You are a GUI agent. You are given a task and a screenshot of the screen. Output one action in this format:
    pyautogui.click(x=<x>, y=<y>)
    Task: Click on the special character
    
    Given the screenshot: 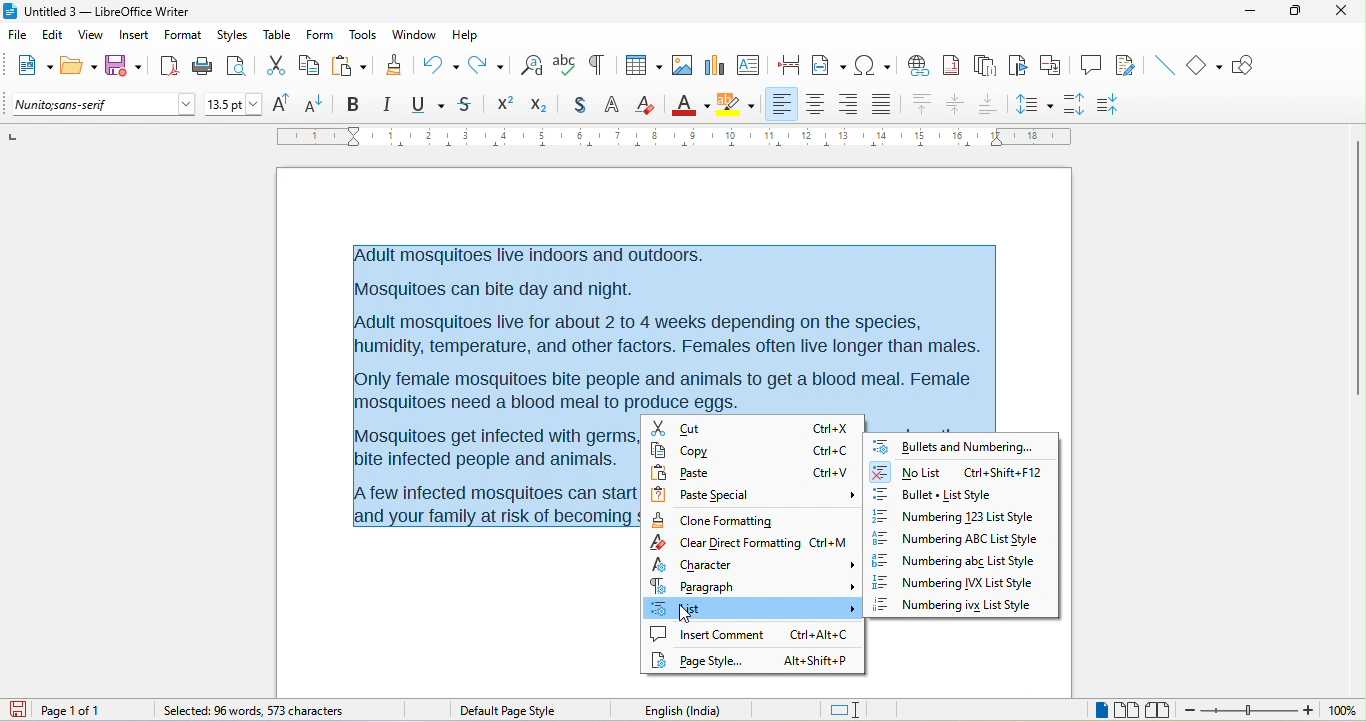 What is the action you would take?
    pyautogui.click(x=873, y=65)
    